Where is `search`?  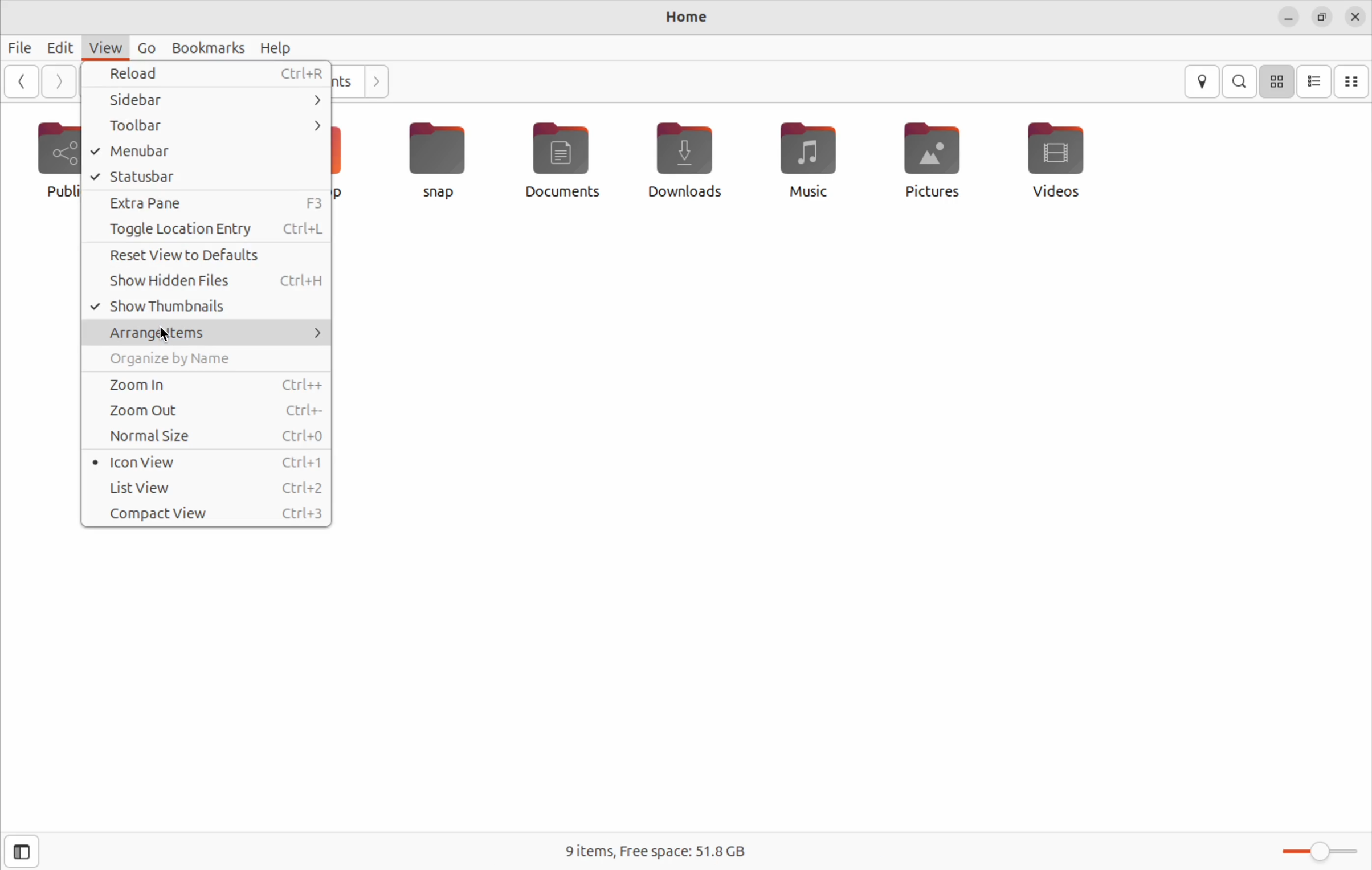 search is located at coordinates (1240, 81).